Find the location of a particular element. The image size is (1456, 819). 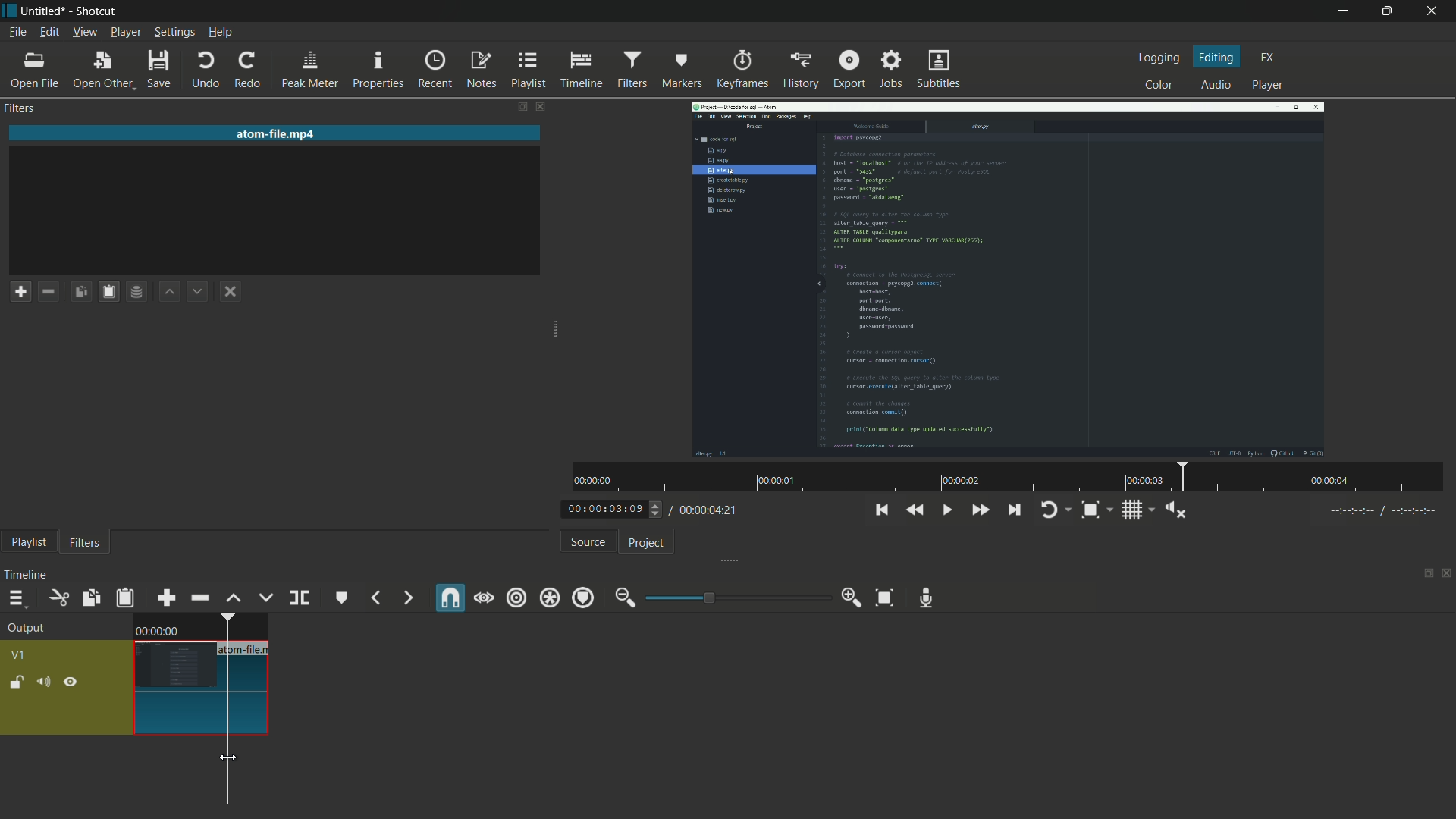

create or edit marker is located at coordinates (340, 598).